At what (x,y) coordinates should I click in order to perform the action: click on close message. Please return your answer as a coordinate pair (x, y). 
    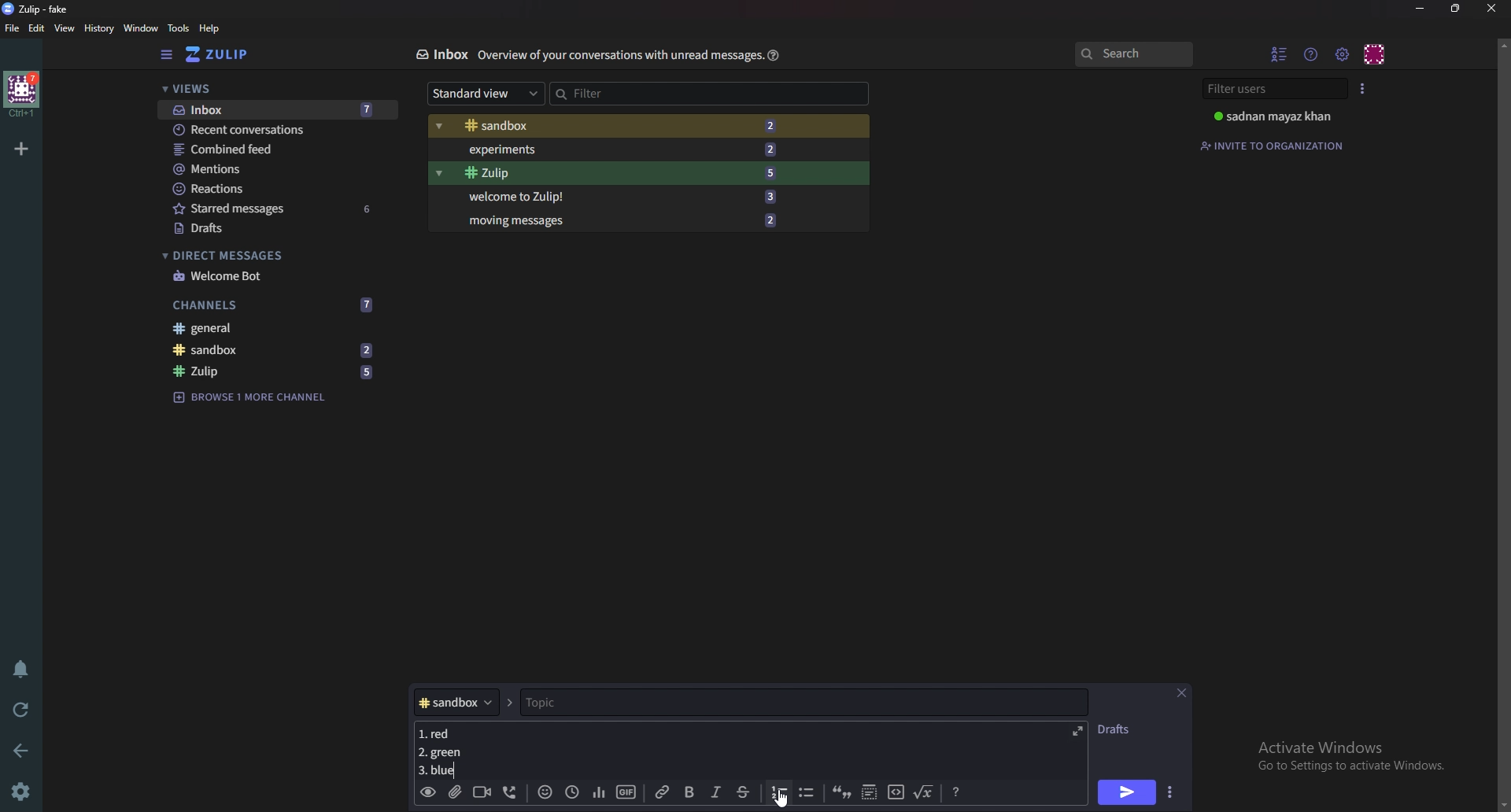
    Looking at the image, I should click on (1182, 692).